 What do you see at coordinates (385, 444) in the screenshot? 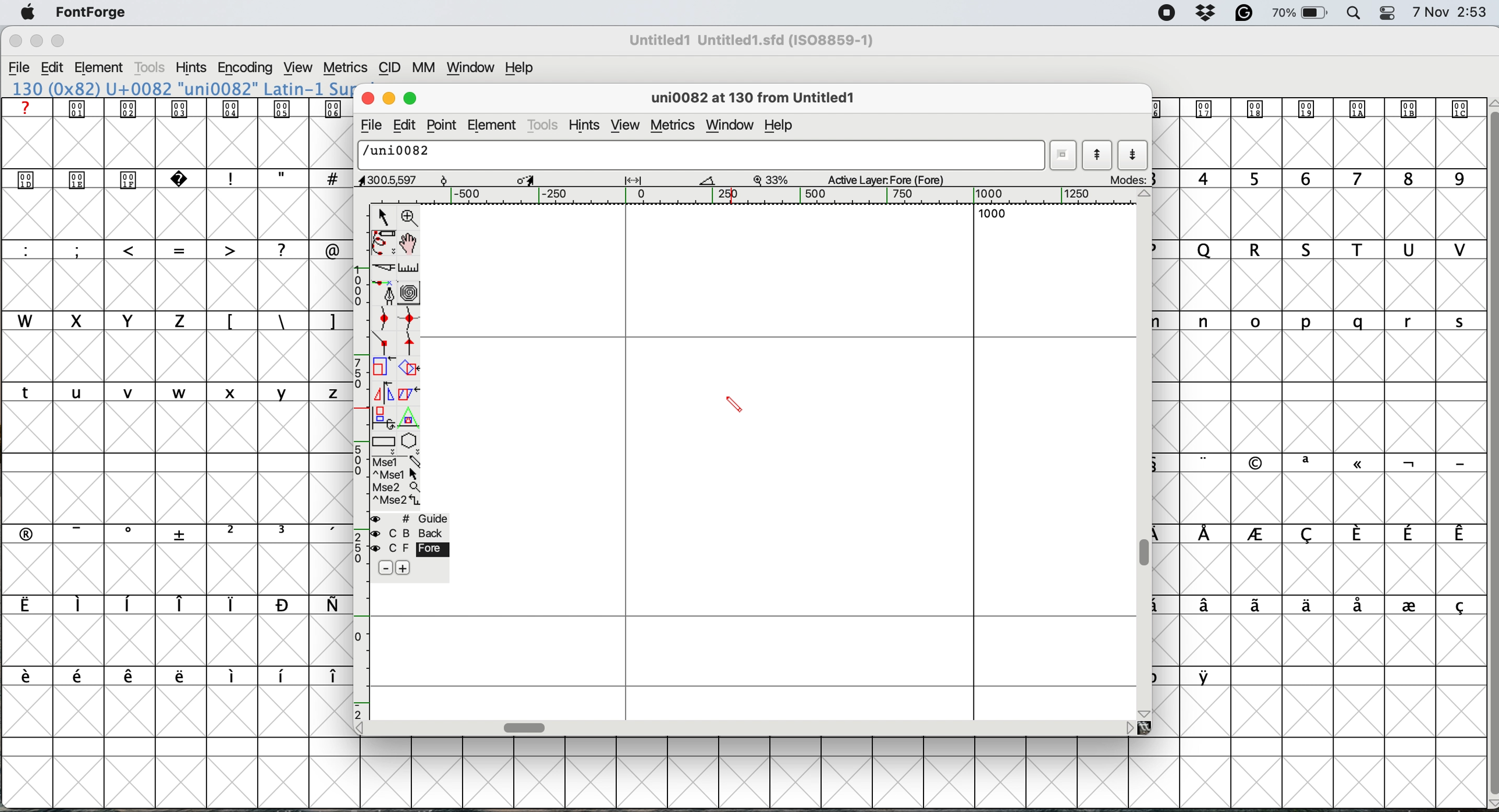
I see `rectangle or box` at bounding box center [385, 444].